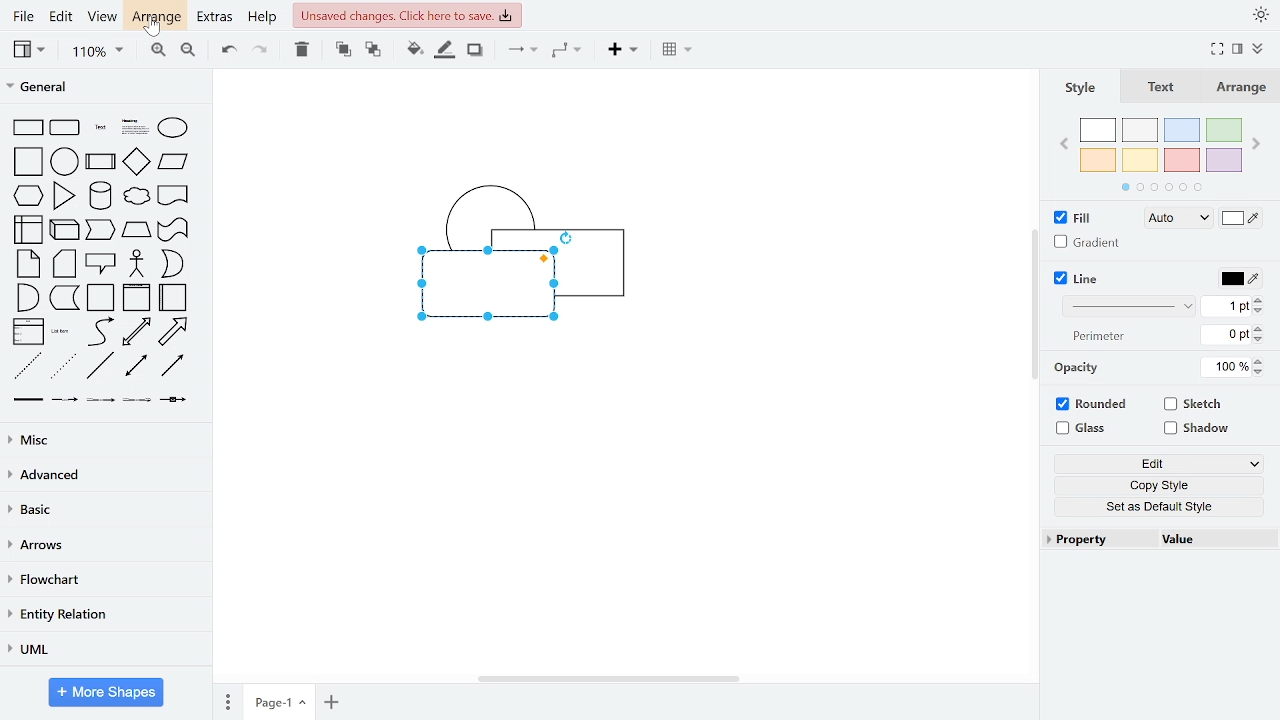 The height and width of the screenshot is (720, 1280). Describe the element at coordinates (60, 332) in the screenshot. I see `list item` at that location.